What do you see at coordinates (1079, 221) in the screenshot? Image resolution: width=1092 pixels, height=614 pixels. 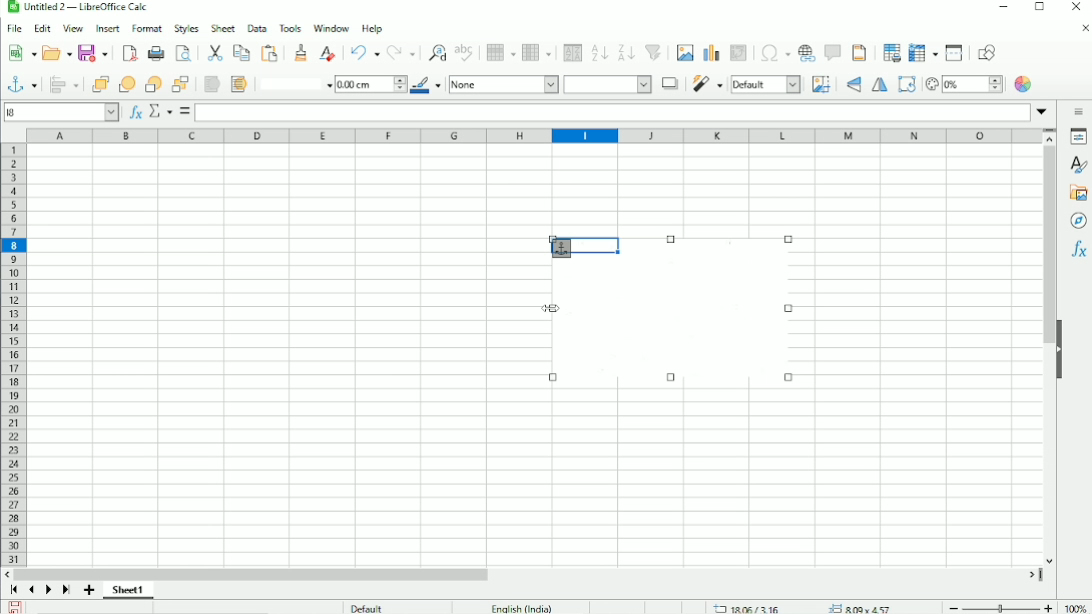 I see `Navigator` at bounding box center [1079, 221].